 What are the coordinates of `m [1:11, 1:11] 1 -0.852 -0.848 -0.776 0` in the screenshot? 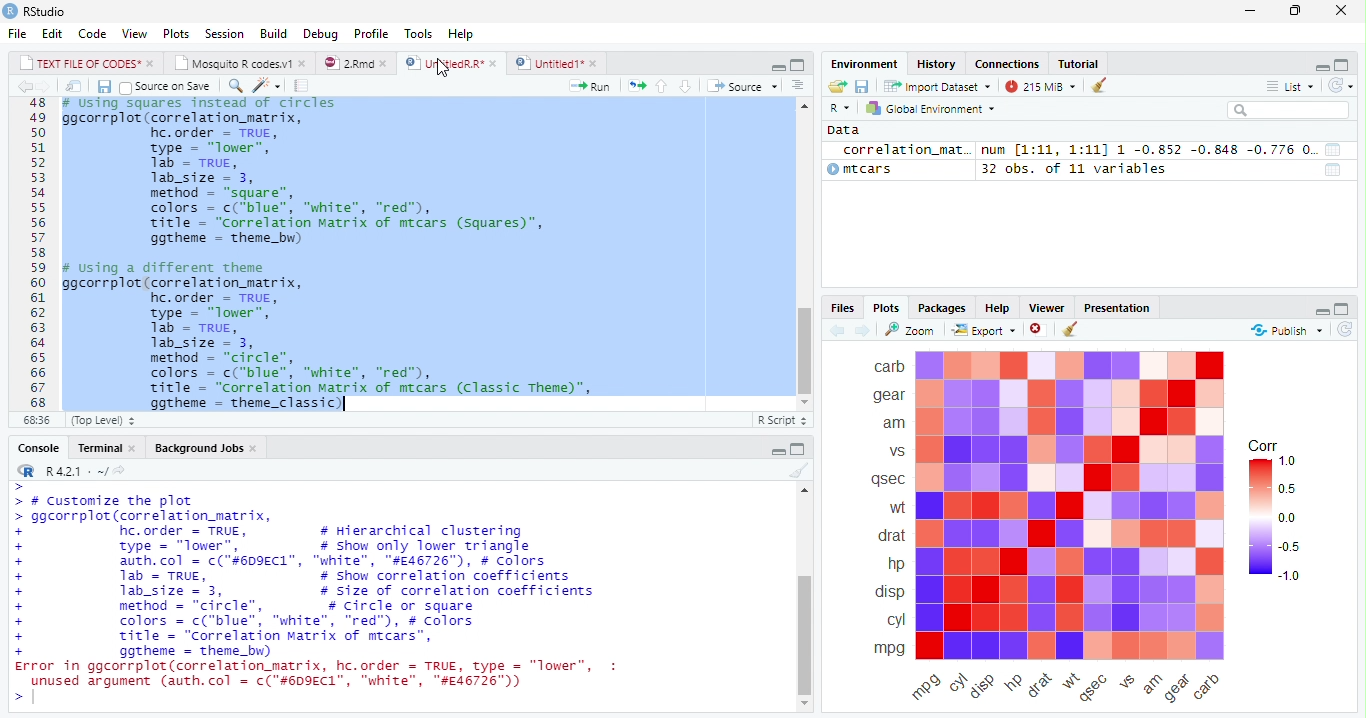 It's located at (1145, 150).